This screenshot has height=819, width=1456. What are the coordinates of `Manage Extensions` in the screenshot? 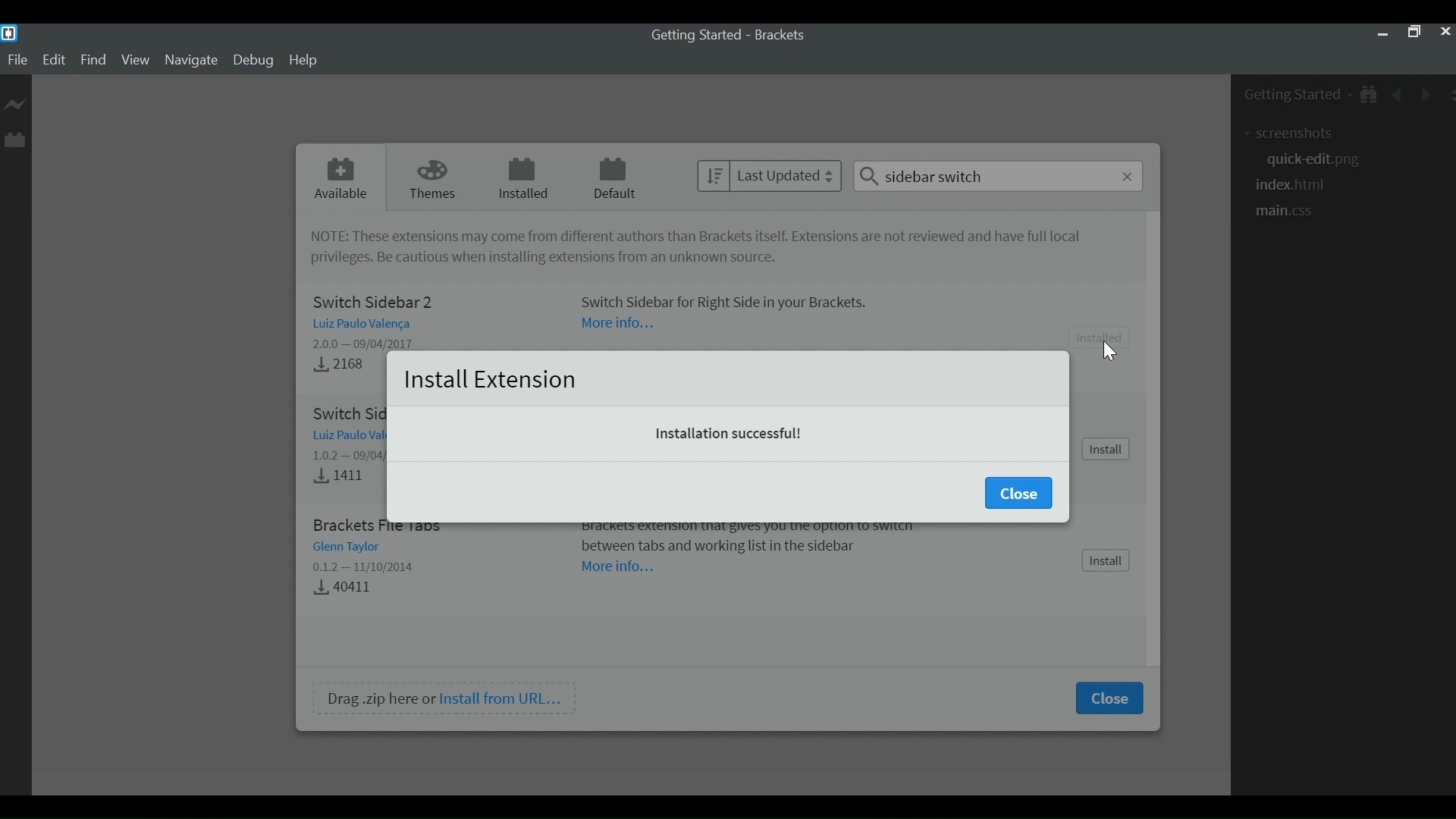 It's located at (13, 137).